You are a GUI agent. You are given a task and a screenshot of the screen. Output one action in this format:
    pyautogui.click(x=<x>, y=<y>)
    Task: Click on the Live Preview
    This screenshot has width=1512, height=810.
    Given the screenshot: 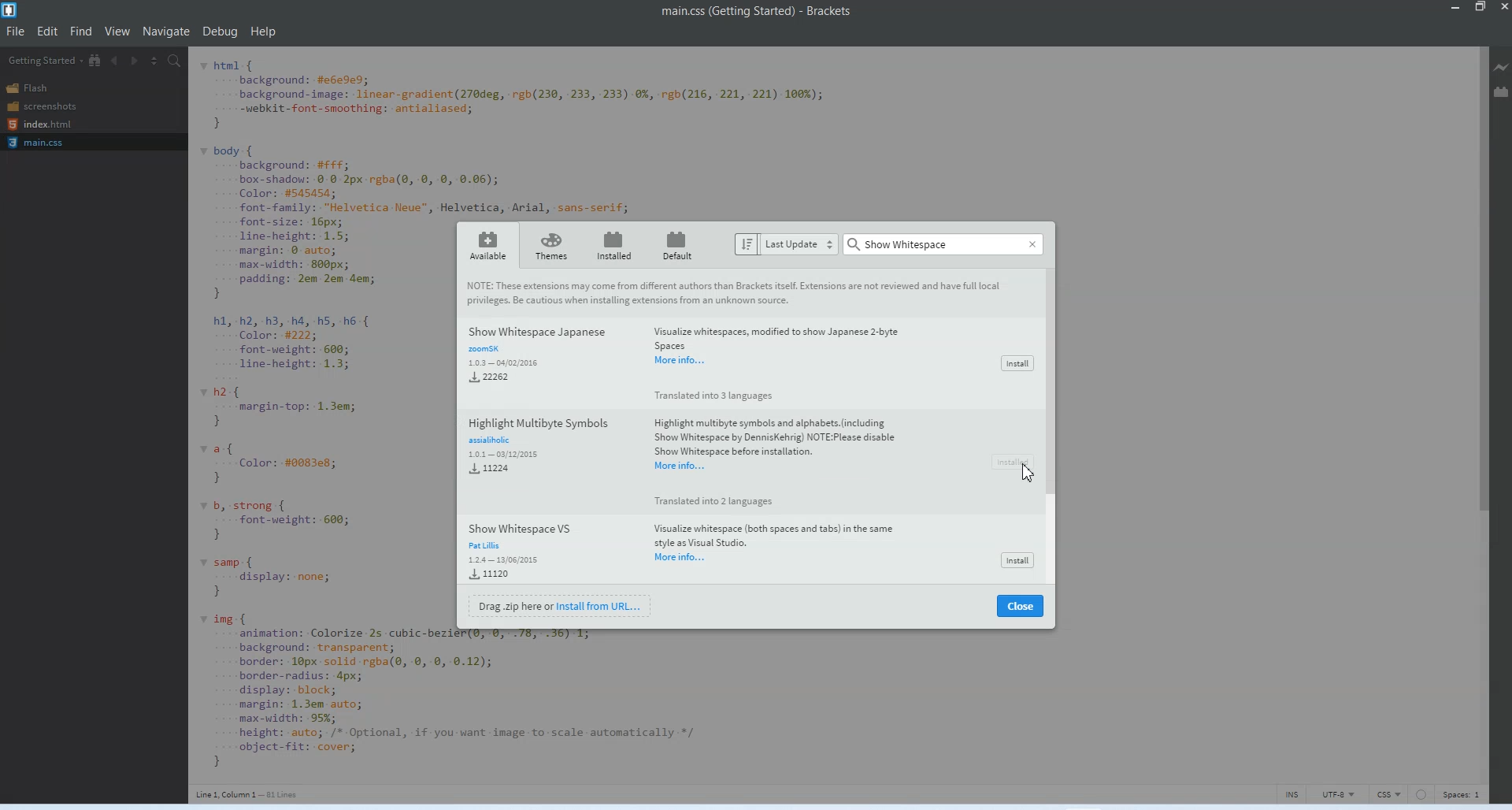 What is the action you would take?
    pyautogui.click(x=1502, y=67)
    